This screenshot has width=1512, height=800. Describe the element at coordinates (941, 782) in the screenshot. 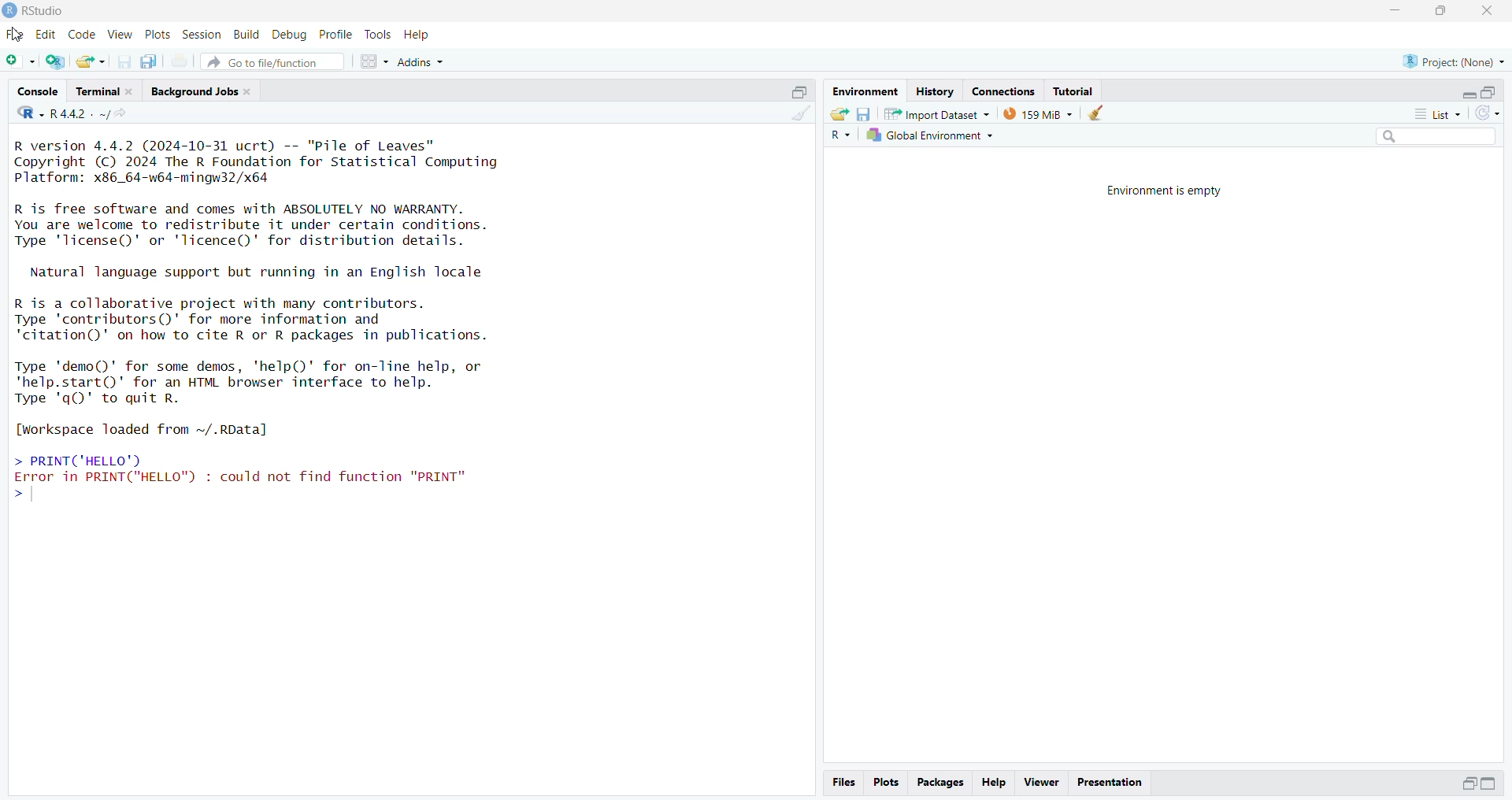

I see `packages` at that location.